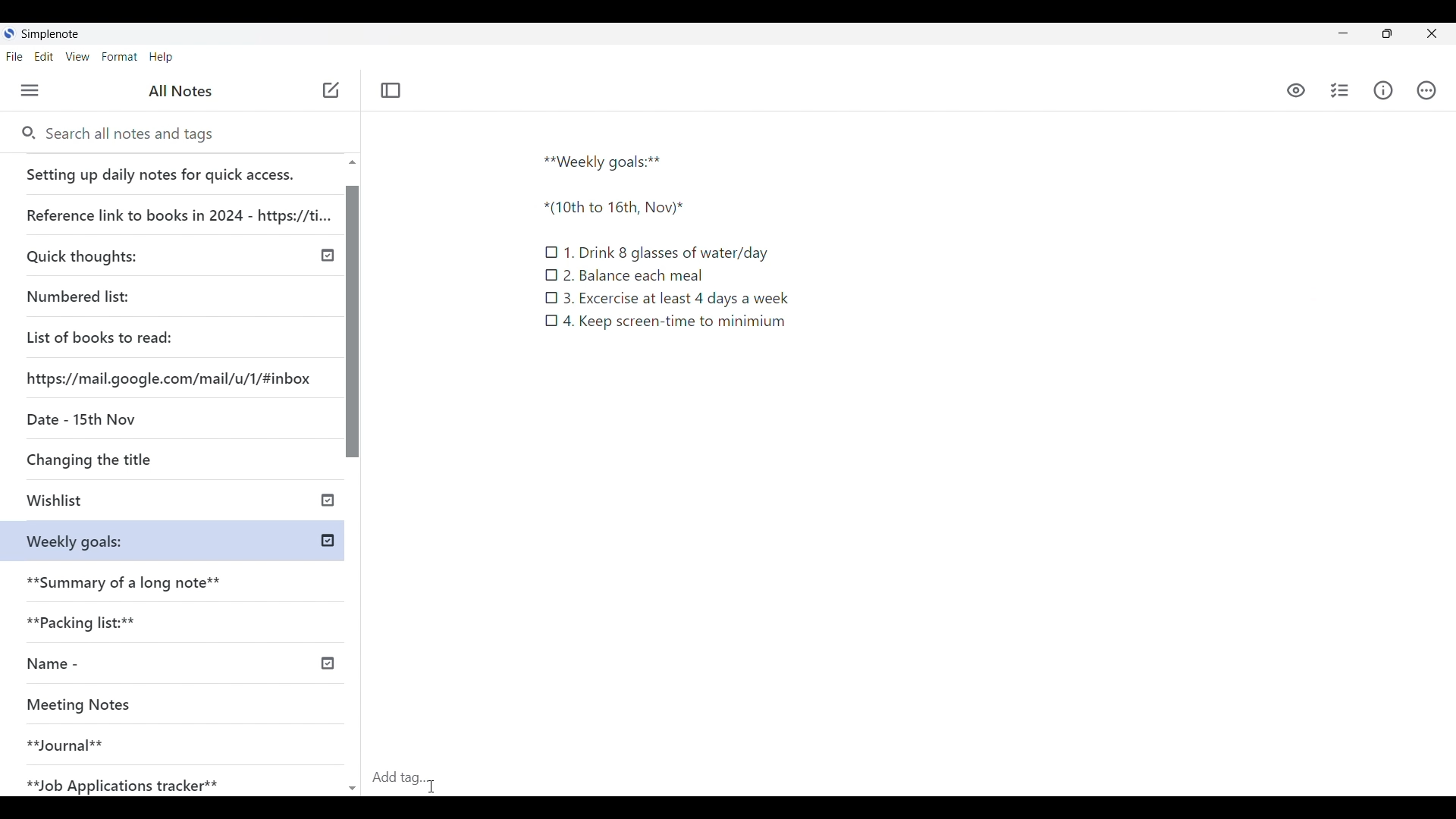  I want to click on Summary, so click(181, 578).